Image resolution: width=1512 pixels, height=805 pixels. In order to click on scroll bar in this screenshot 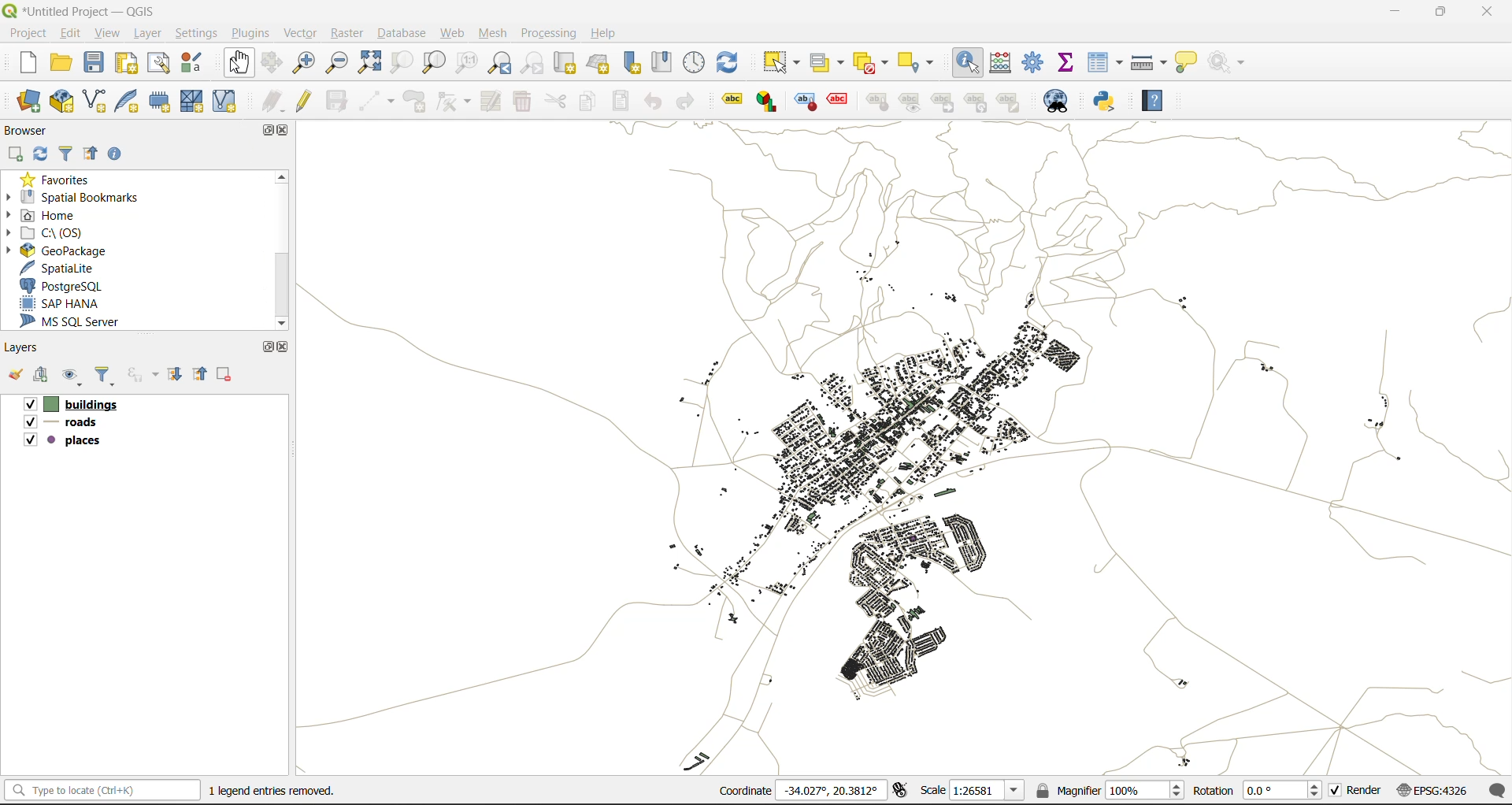, I will do `click(287, 247)`.